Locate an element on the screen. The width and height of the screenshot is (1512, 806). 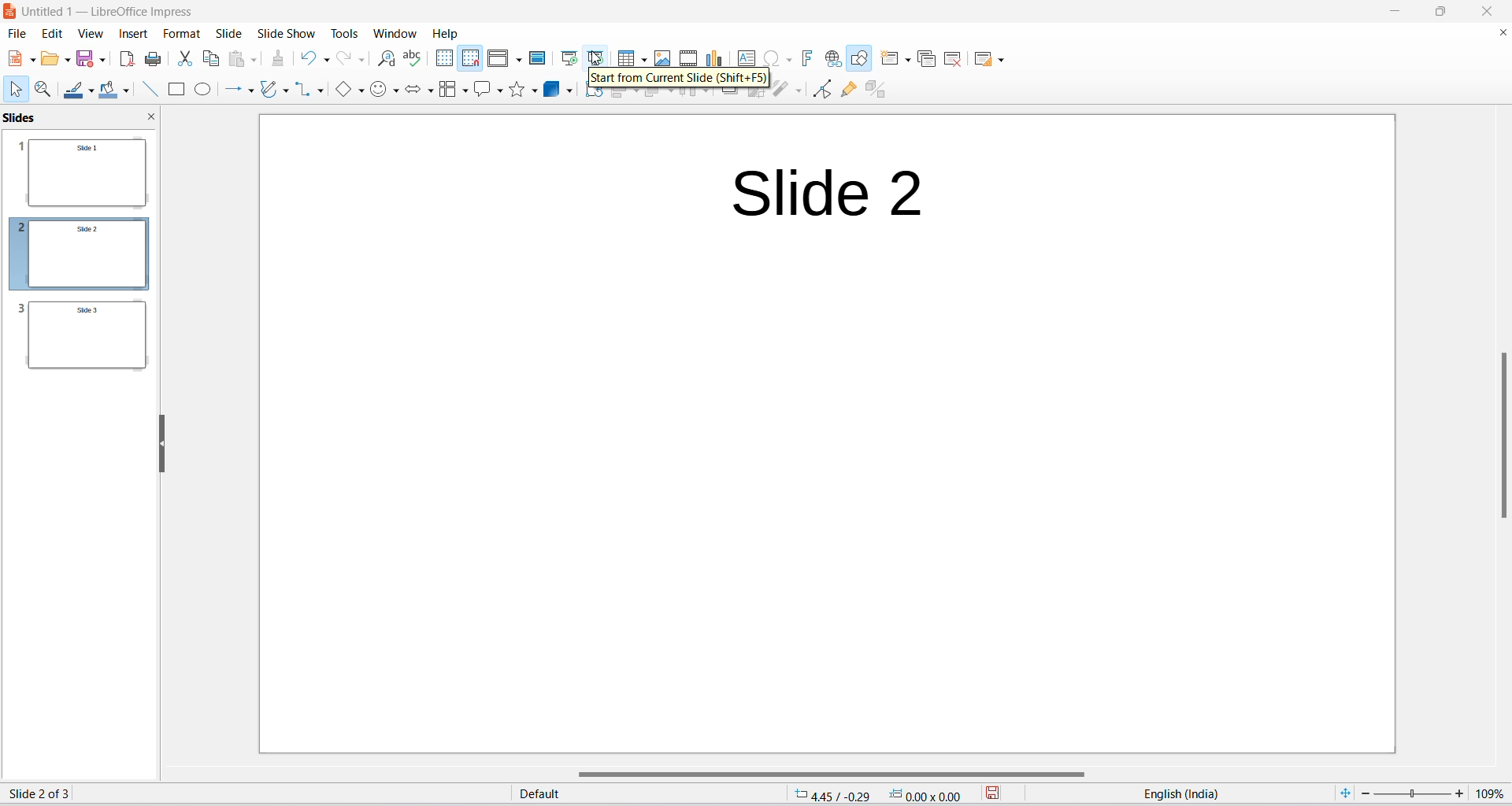
redo is located at coordinates (346, 61).